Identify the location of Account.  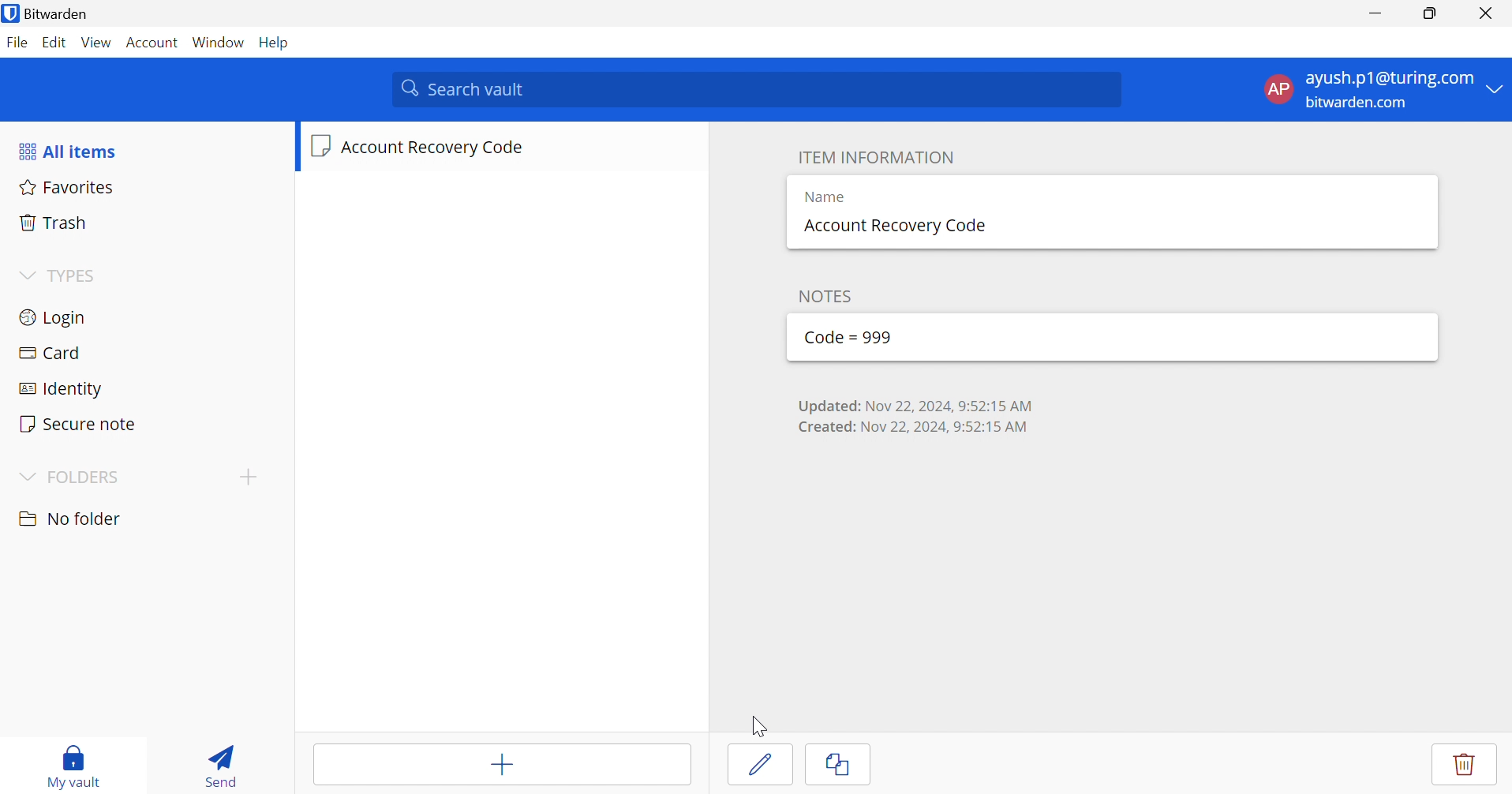
(152, 43).